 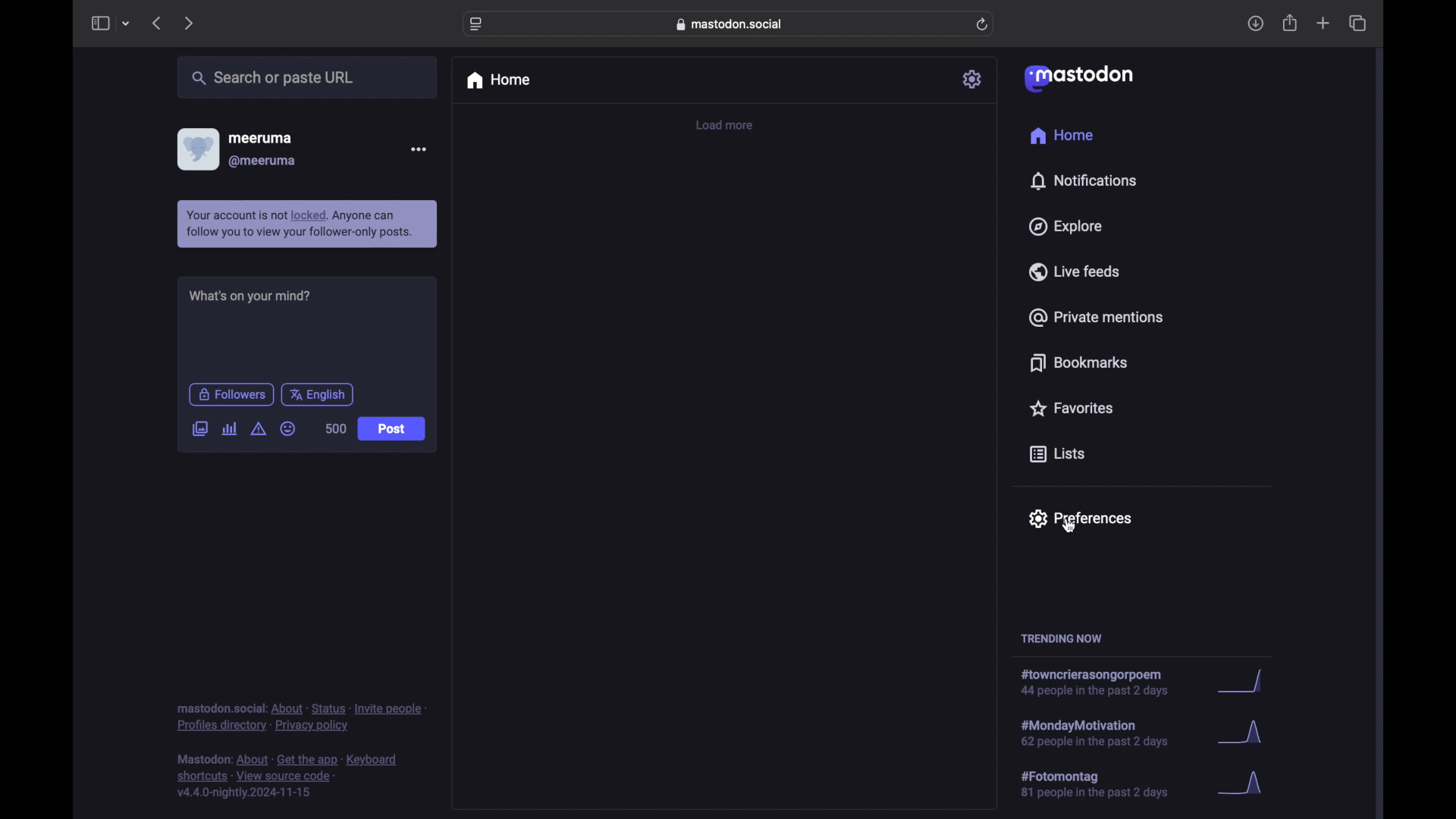 What do you see at coordinates (190, 23) in the screenshot?
I see `next` at bounding box center [190, 23].